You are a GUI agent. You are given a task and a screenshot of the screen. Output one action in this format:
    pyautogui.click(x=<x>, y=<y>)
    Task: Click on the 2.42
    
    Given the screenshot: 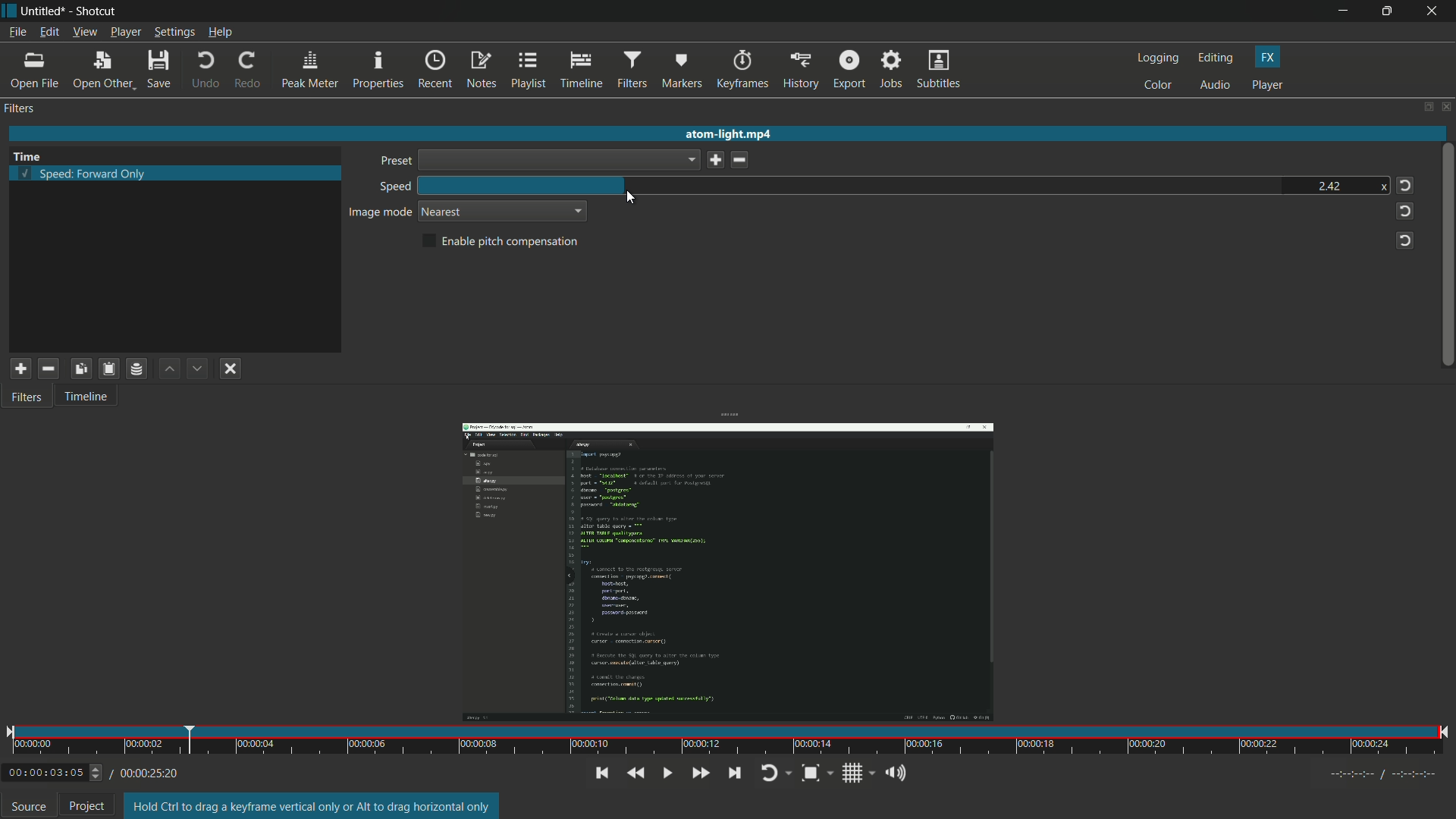 What is the action you would take?
    pyautogui.click(x=1328, y=184)
    